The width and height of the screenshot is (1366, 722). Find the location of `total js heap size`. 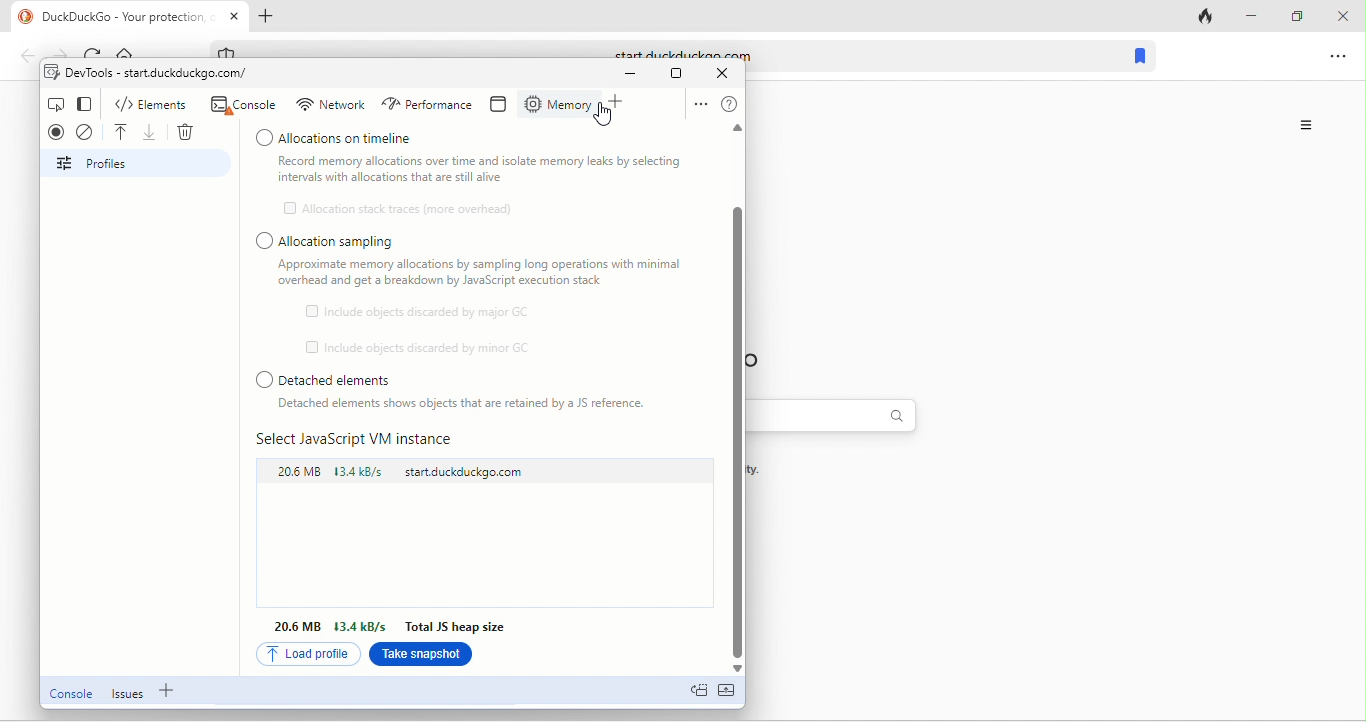

total js heap size is located at coordinates (452, 628).